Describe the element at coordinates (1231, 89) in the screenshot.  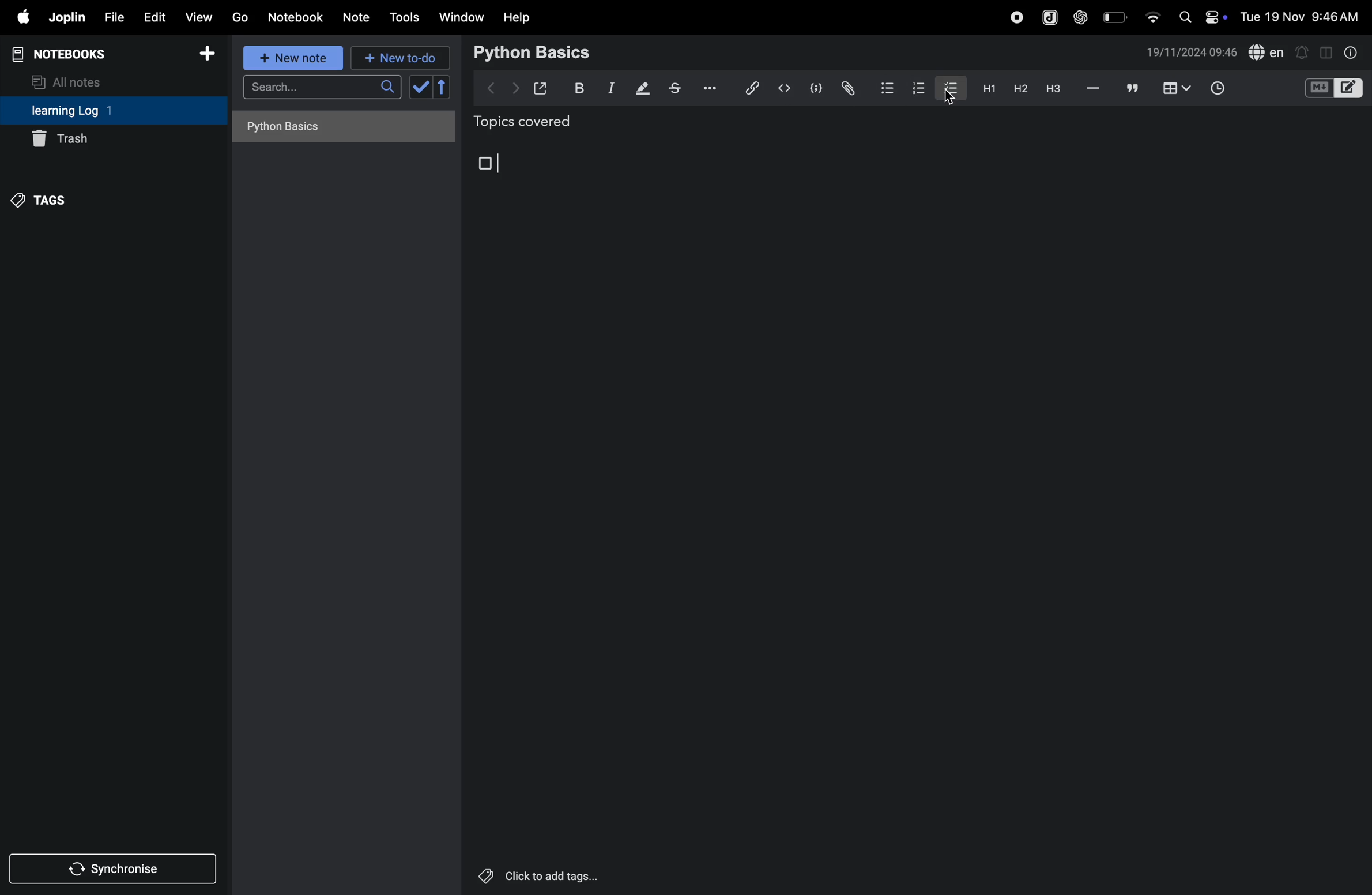
I see `add time` at that location.